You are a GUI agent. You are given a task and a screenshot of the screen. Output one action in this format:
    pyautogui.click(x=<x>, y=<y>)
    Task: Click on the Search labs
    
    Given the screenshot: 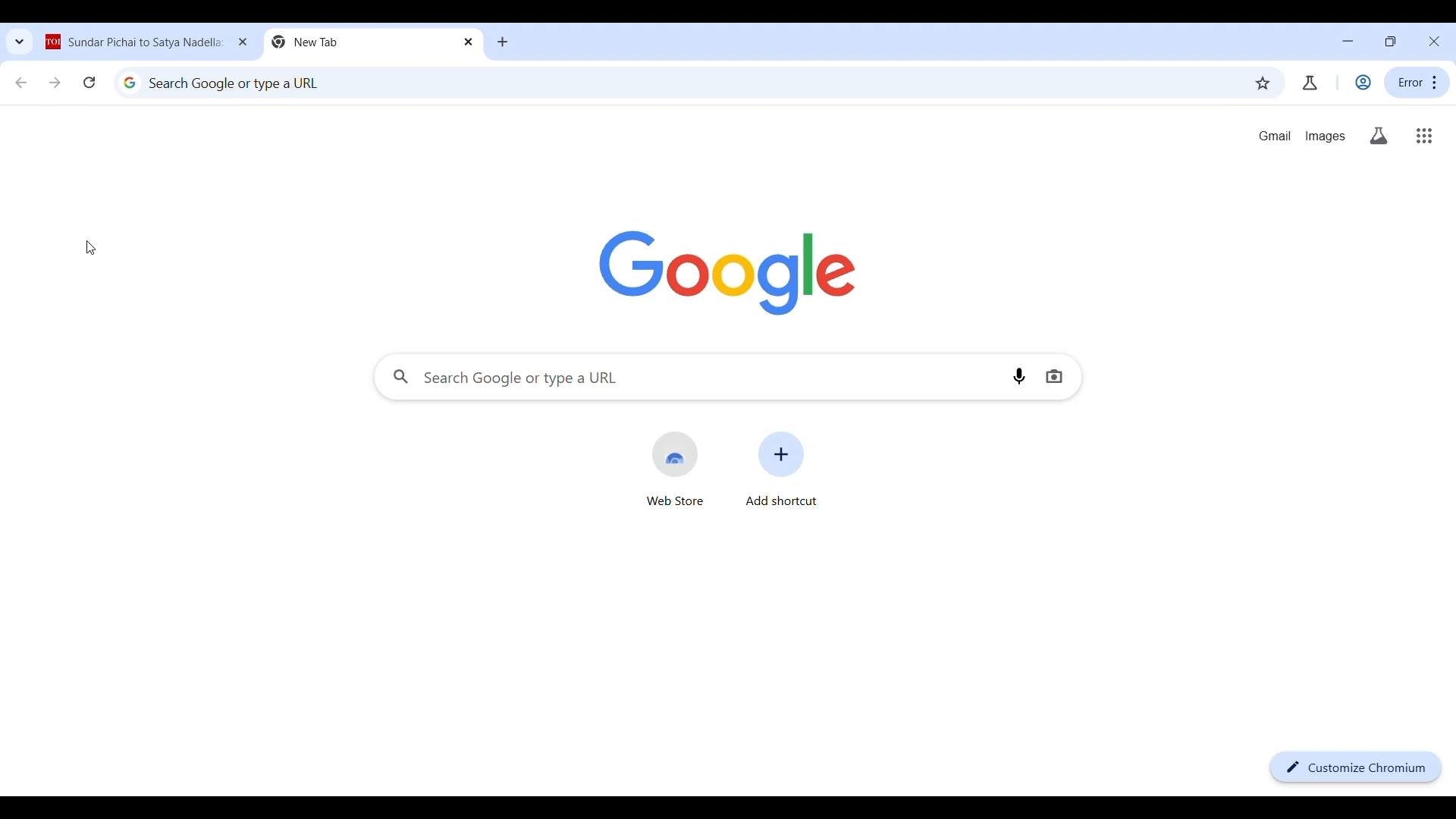 What is the action you would take?
    pyautogui.click(x=1379, y=136)
    